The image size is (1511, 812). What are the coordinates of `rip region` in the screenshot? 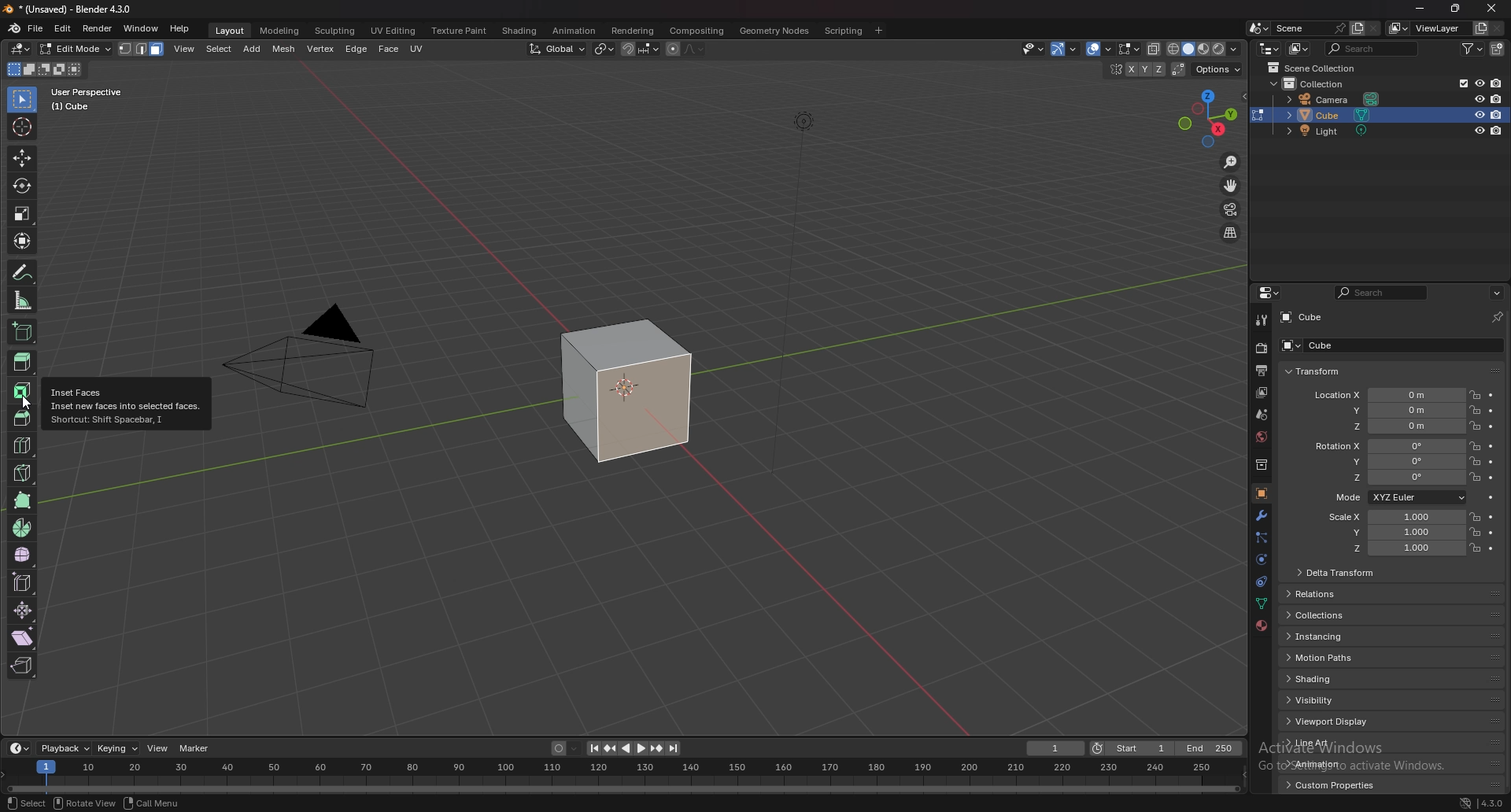 It's located at (21, 666).